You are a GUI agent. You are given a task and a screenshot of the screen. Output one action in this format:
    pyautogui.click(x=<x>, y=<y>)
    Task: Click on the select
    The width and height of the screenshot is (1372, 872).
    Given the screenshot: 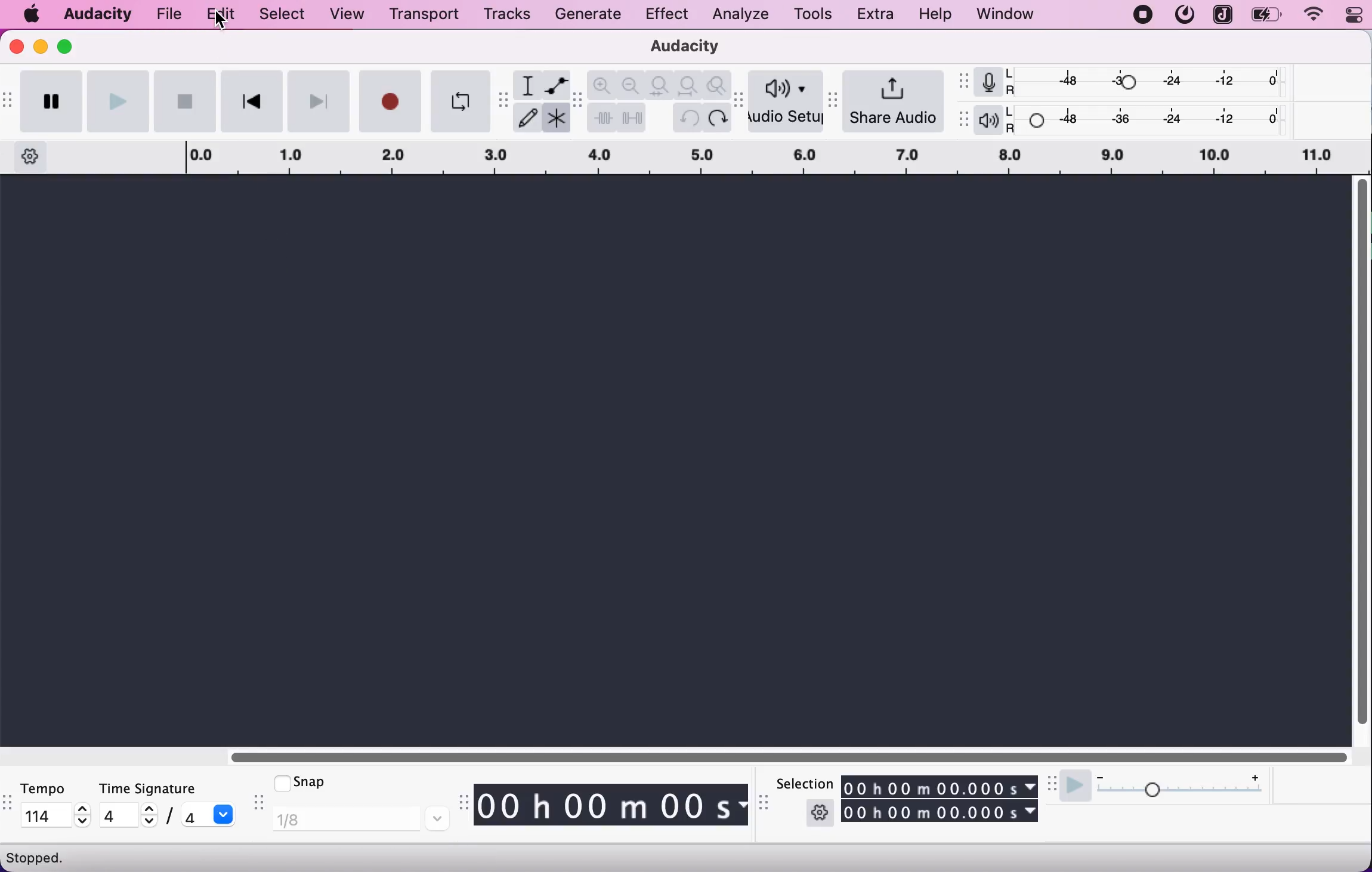 What is the action you would take?
    pyautogui.click(x=280, y=15)
    